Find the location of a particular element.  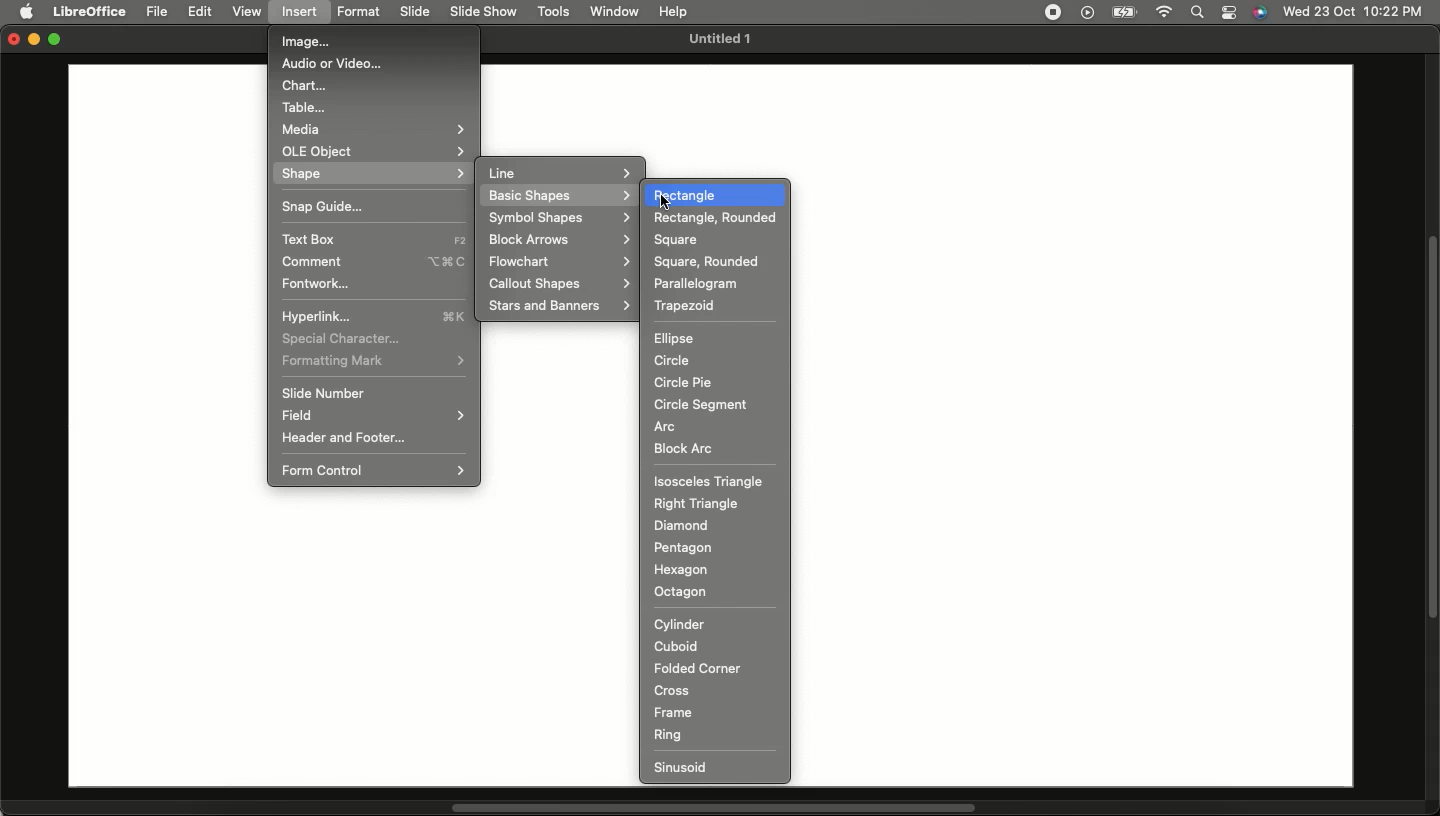

Square is located at coordinates (678, 241).